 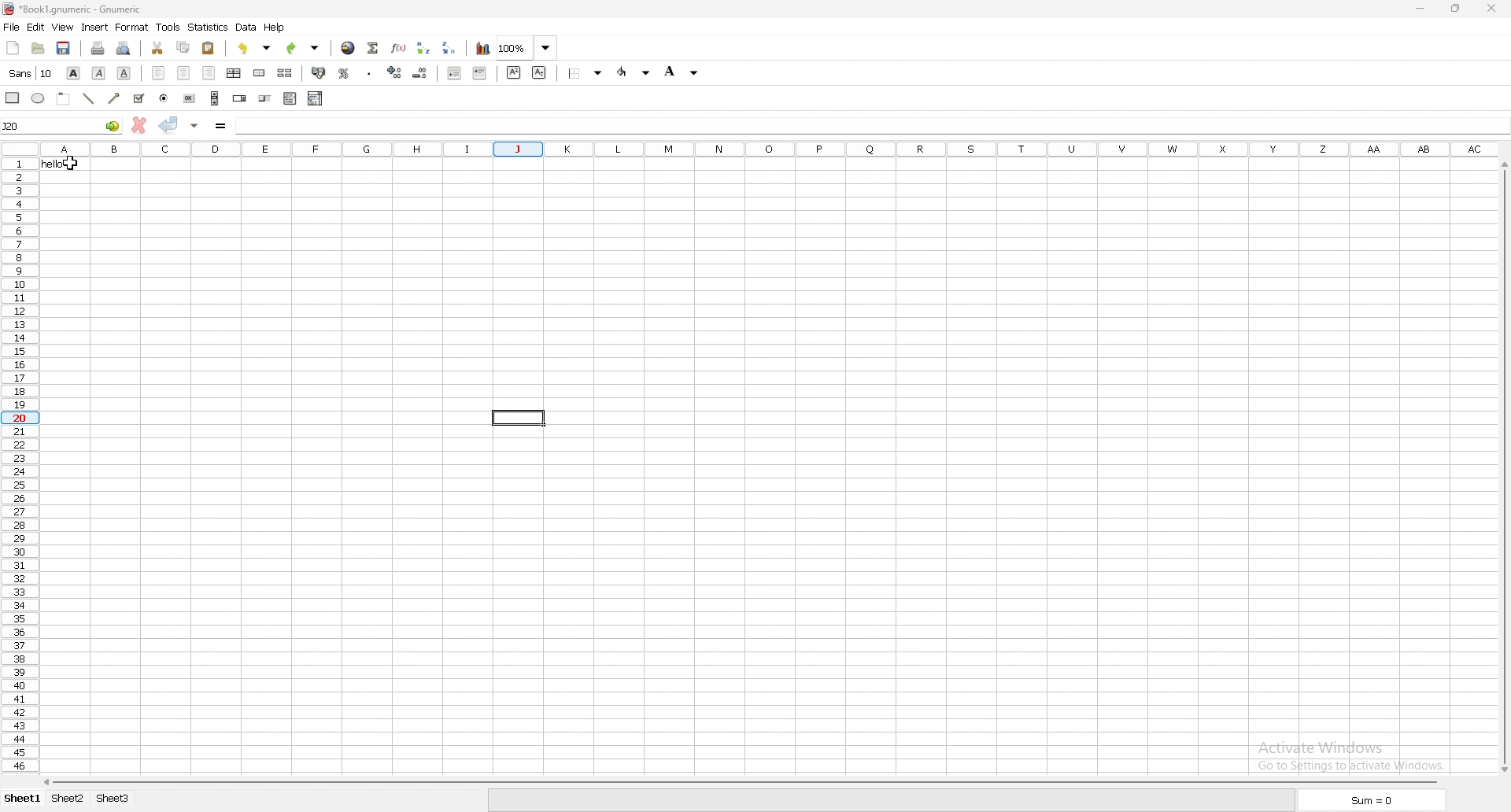 What do you see at coordinates (124, 75) in the screenshot?
I see `underline` at bounding box center [124, 75].